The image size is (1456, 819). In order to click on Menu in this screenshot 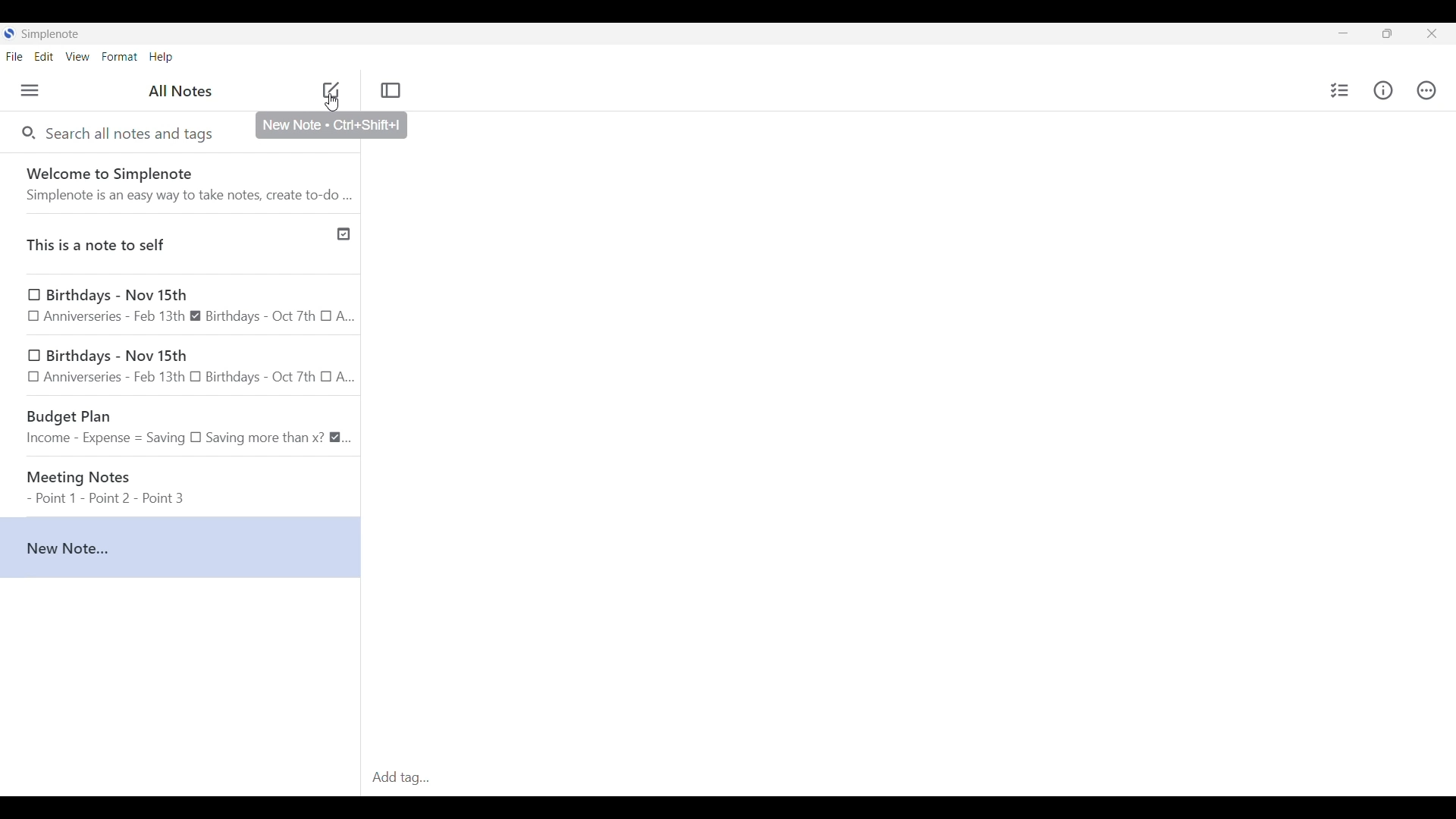, I will do `click(30, 90)`.